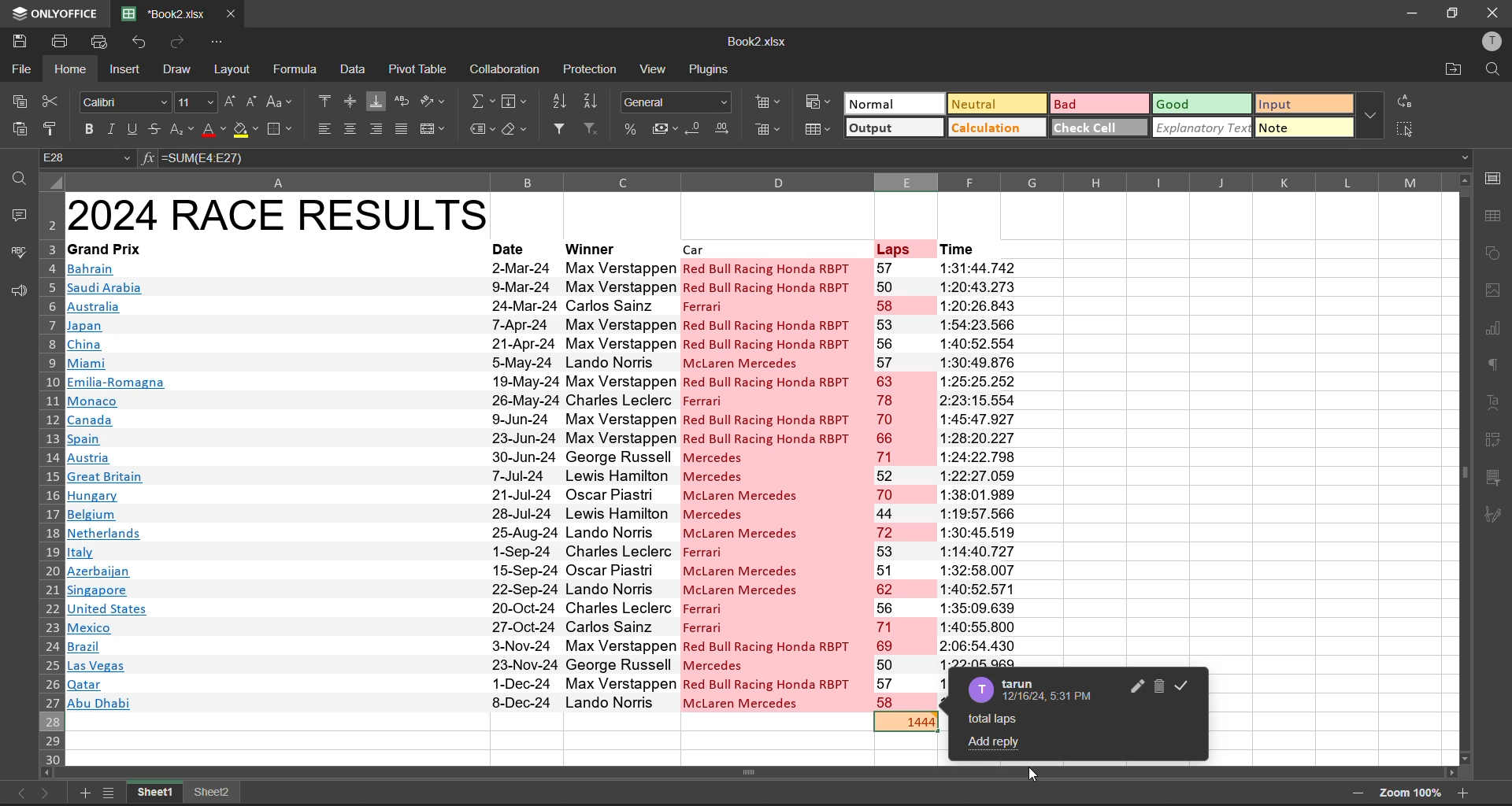  I want to click on column name, so click(751, 181).